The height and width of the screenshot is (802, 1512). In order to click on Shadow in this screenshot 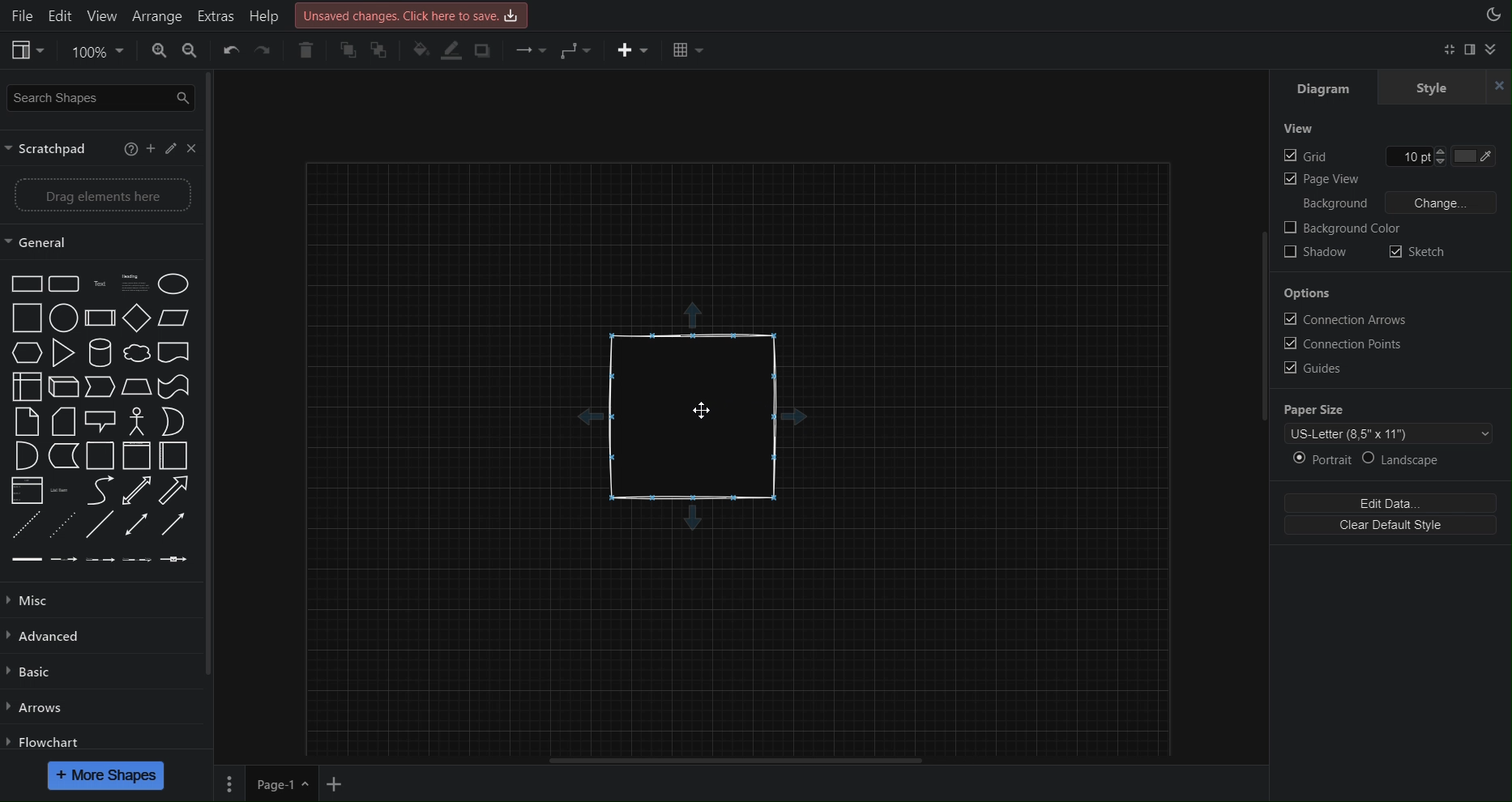, I will do `click(1318, 254)`.